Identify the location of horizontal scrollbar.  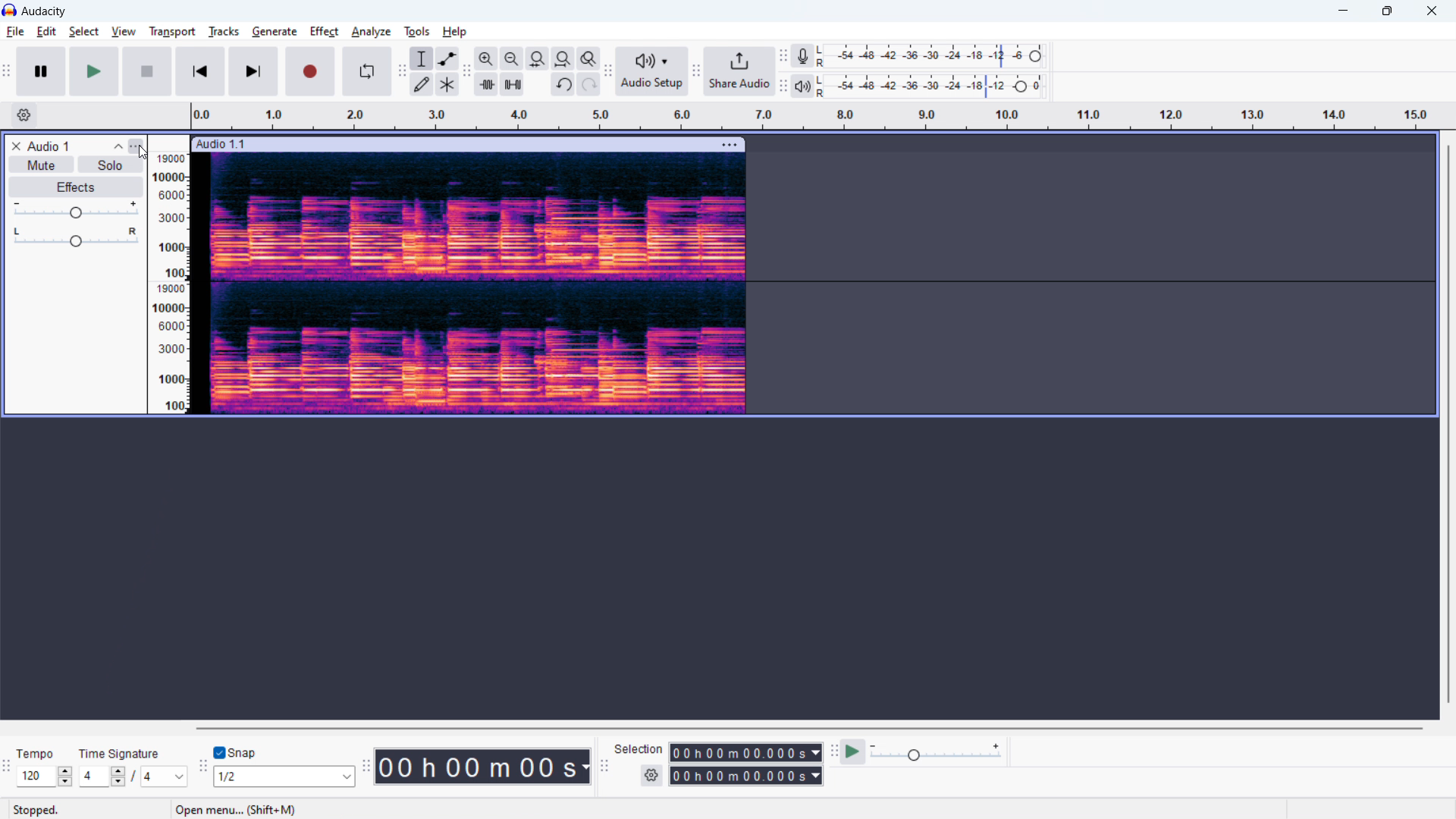
(808, 728).